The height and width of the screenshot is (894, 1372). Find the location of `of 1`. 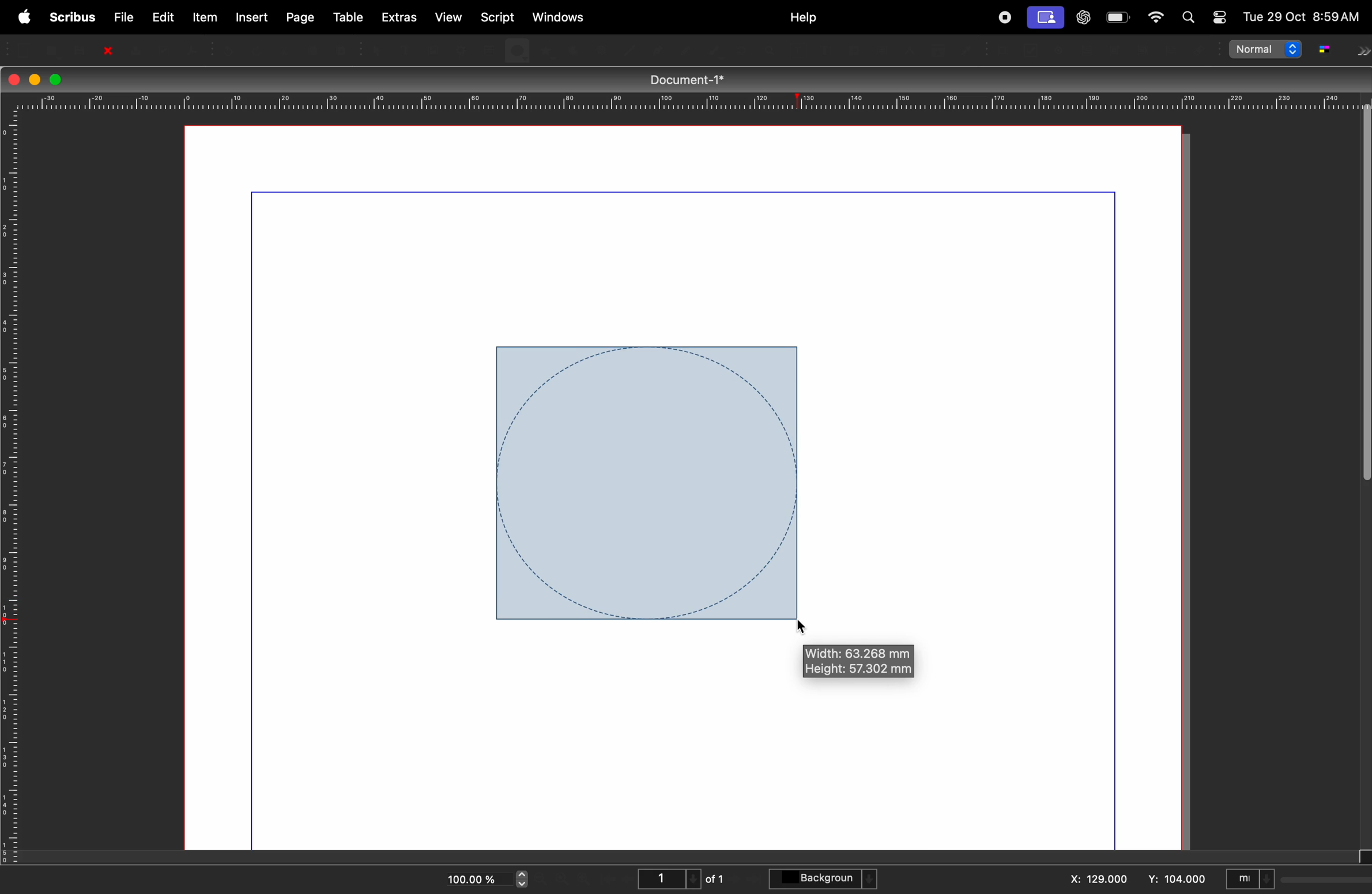

of 1 is located at coordinates (717, 878).